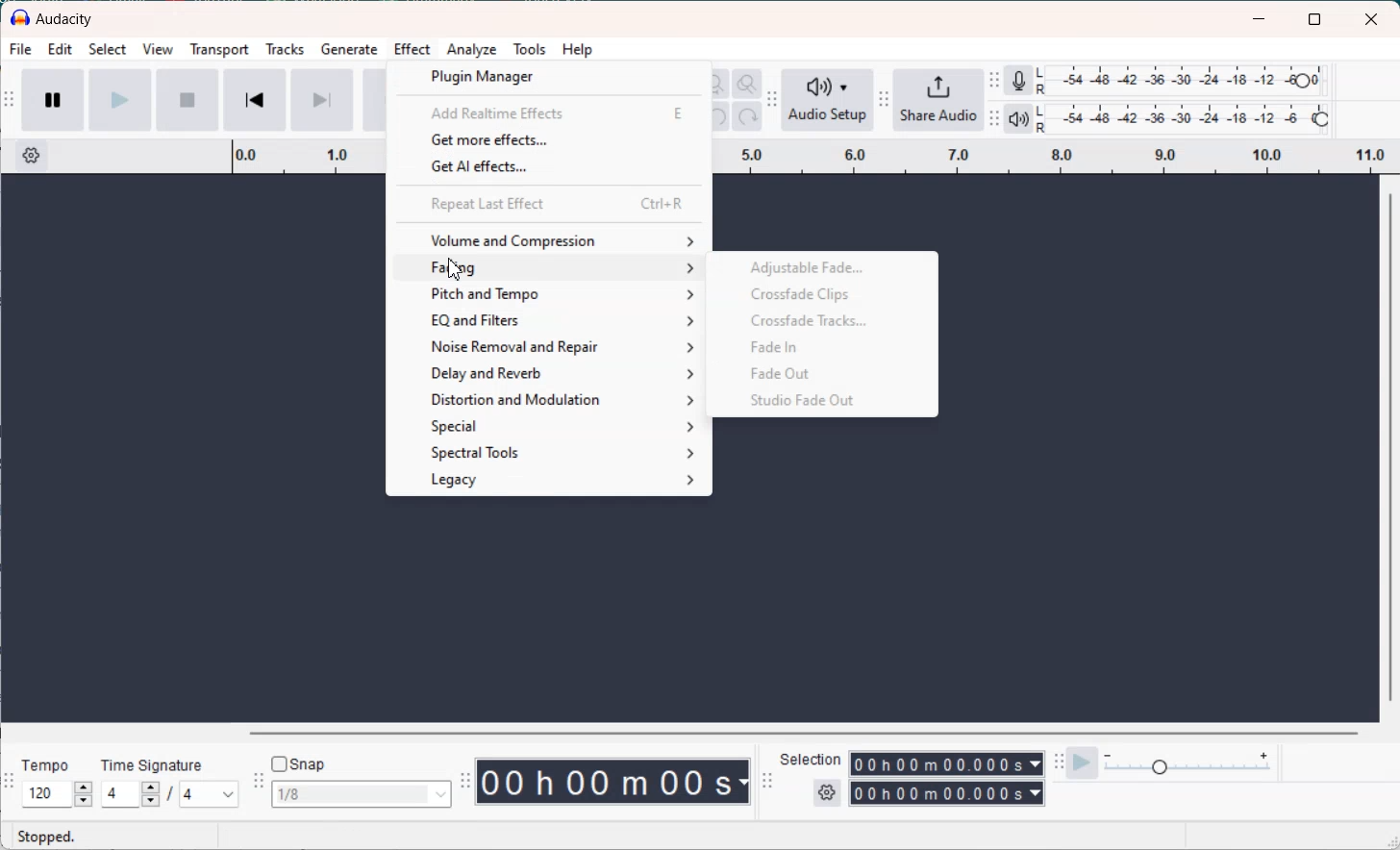  What do you see at coordinates (1373, 18) in the screenshot?
I see `Close` at bounding box center [1373, 18].